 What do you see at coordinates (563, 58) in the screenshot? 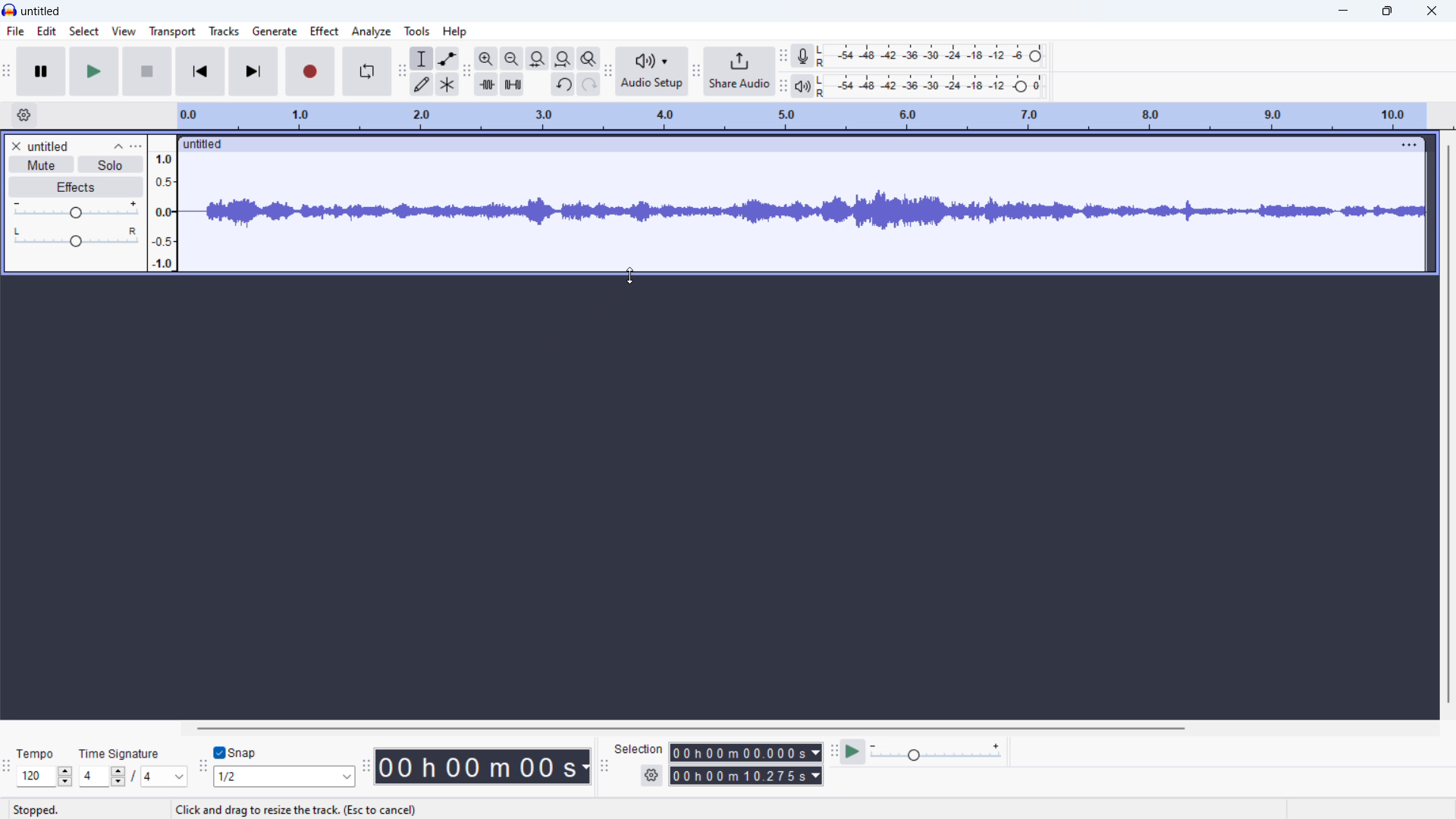
I see `fit project to width` at bounding box center [563, 58].